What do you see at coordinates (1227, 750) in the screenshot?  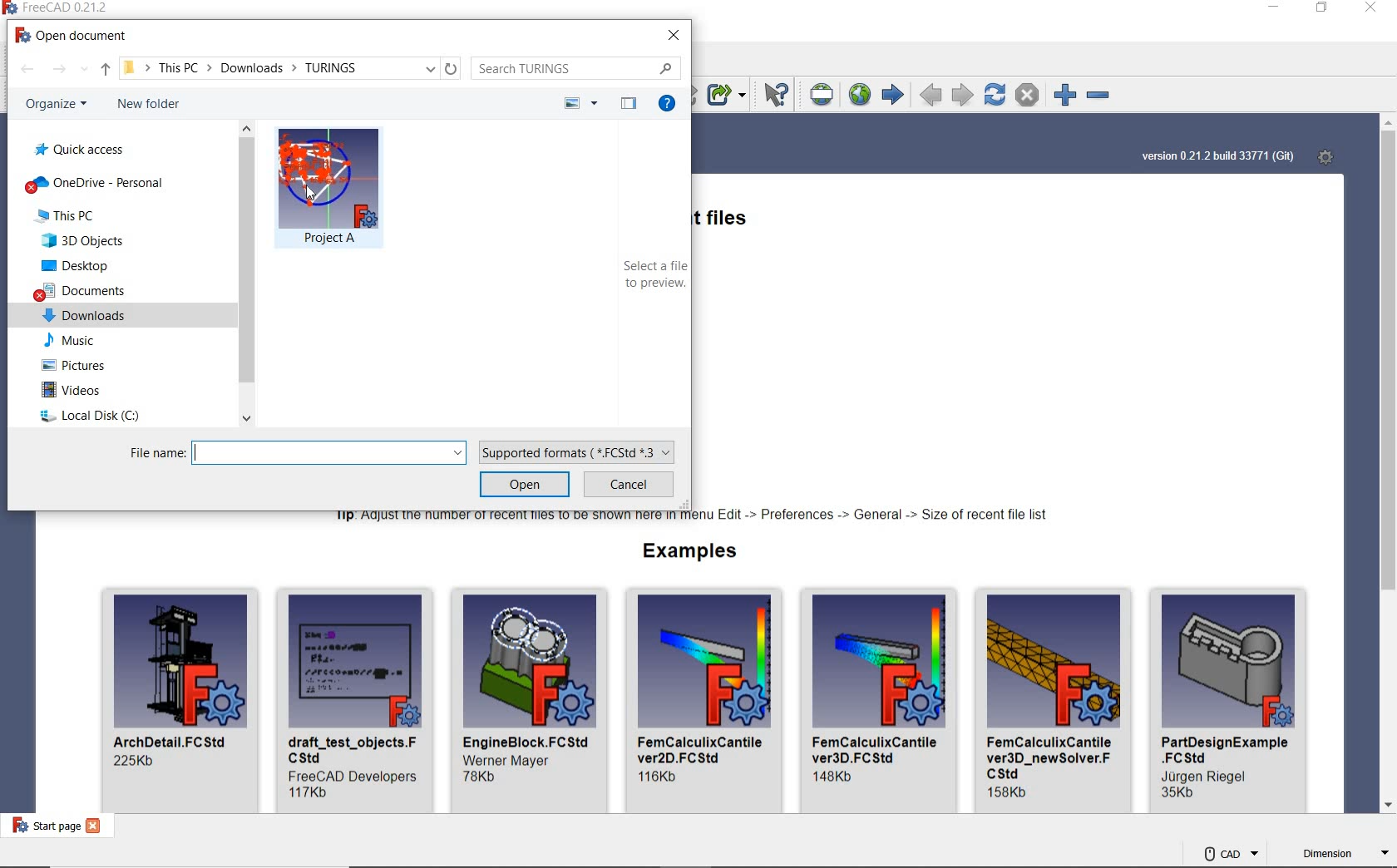 I see `name` at bounding box center [1227, 750].